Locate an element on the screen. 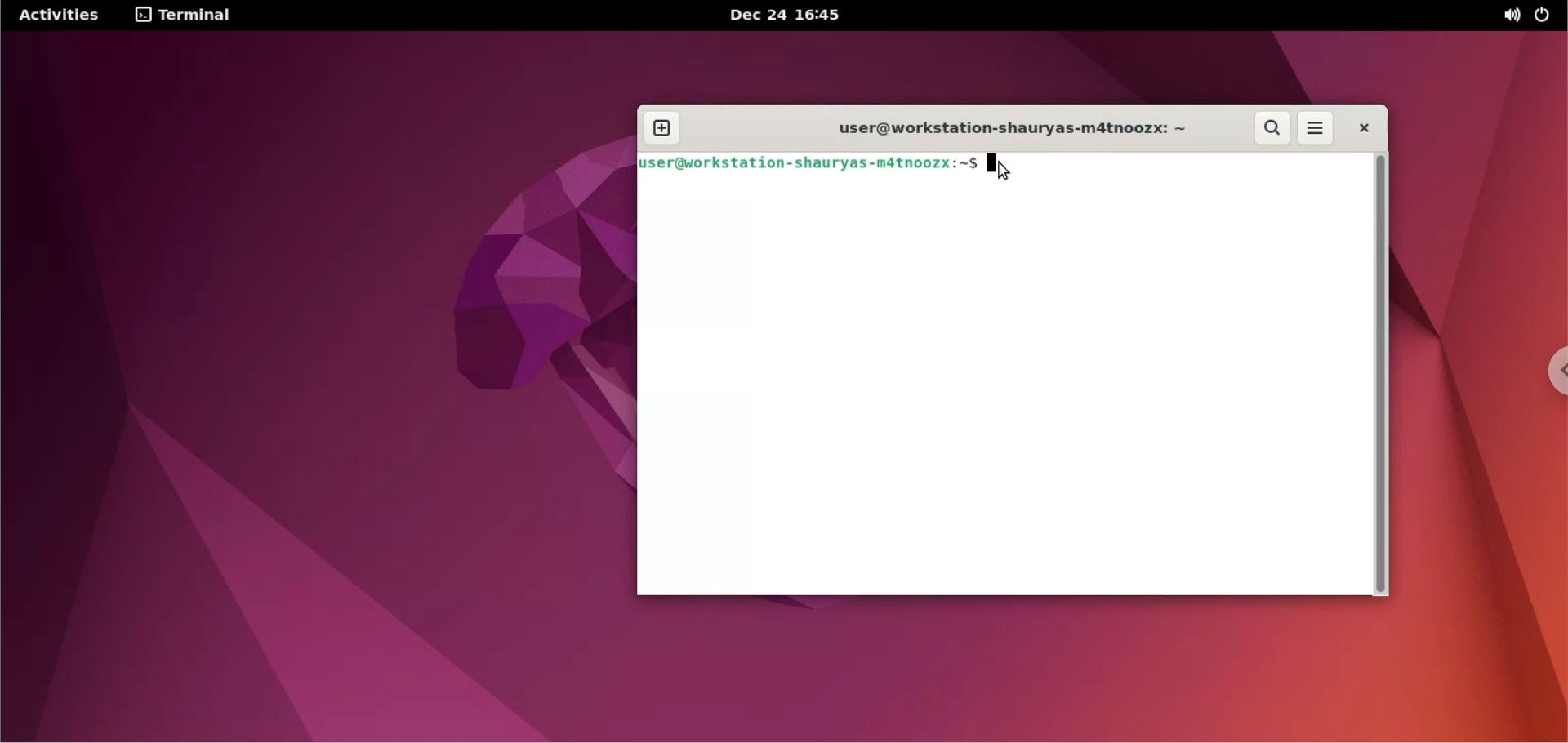 Image resolution: width=1568 pixels, height=743 pixels. Activities  is located at coordinates (61, 17).